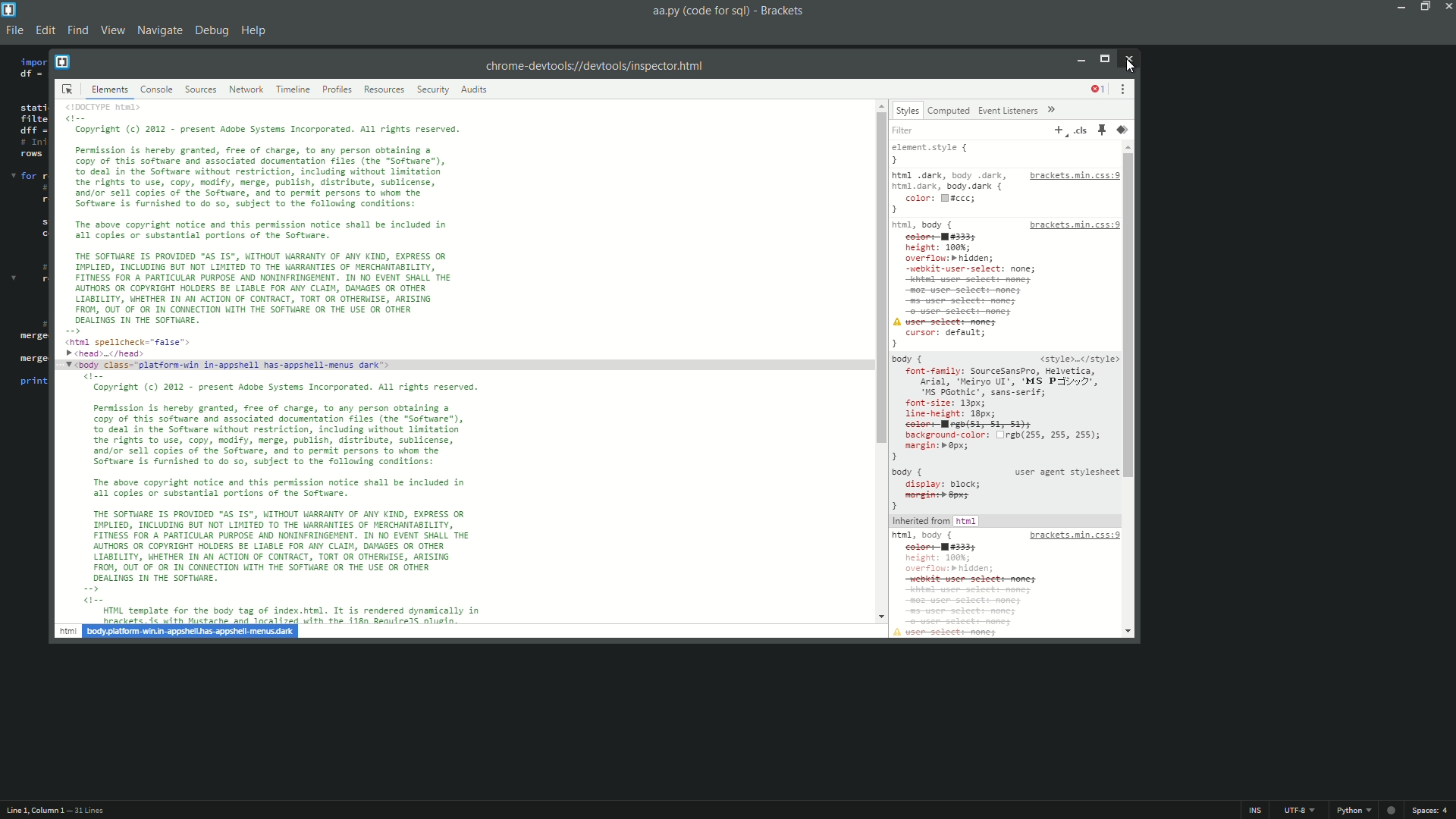 This screenshot has height=819, width=1456. Describe the element at coordinates (79, 30) in the screenshot. I see `find` at that location.